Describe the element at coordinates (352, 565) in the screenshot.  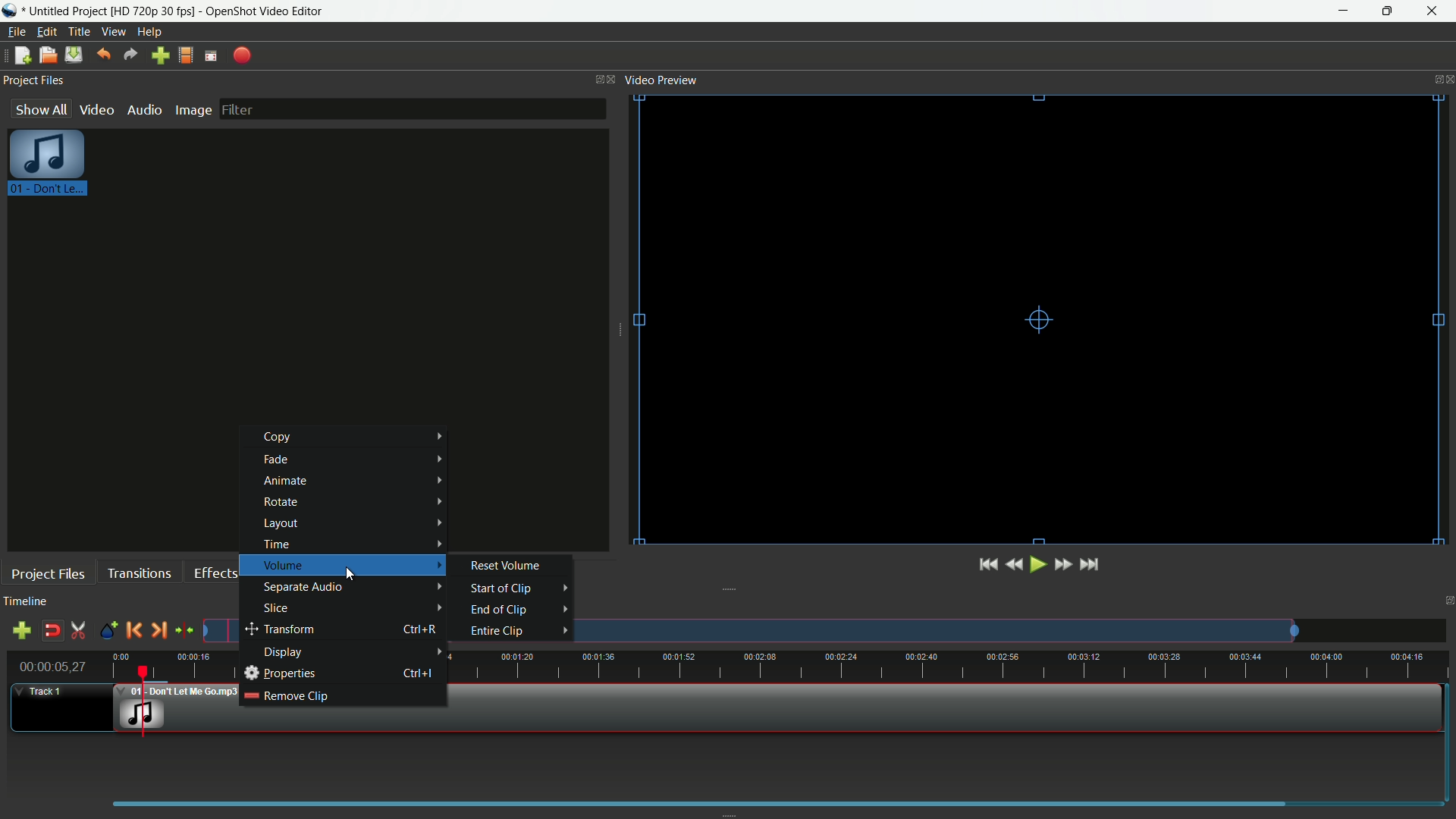
I see `volume` at that location.